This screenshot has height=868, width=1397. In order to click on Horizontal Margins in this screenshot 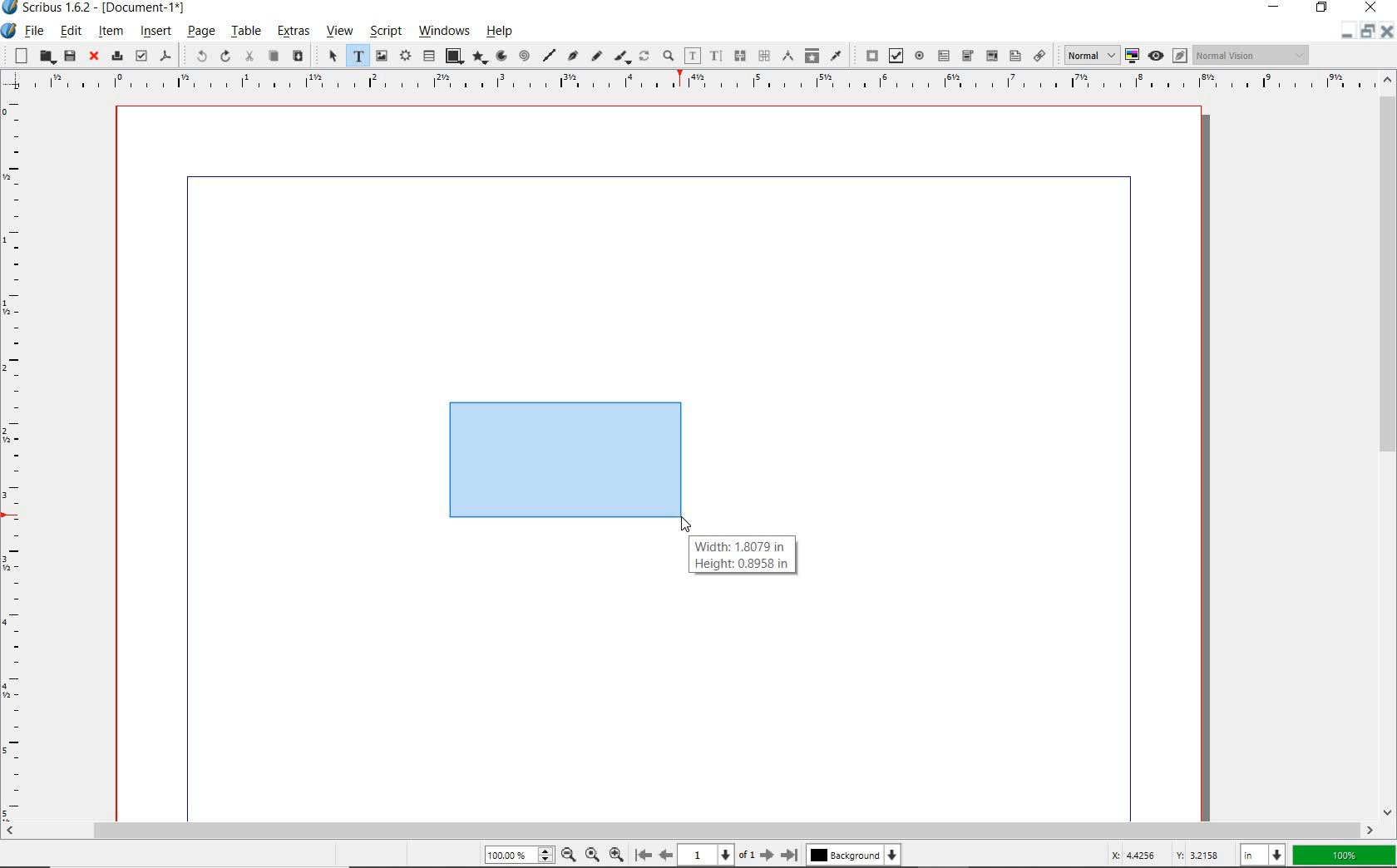, I will do `click(698, 81)`.